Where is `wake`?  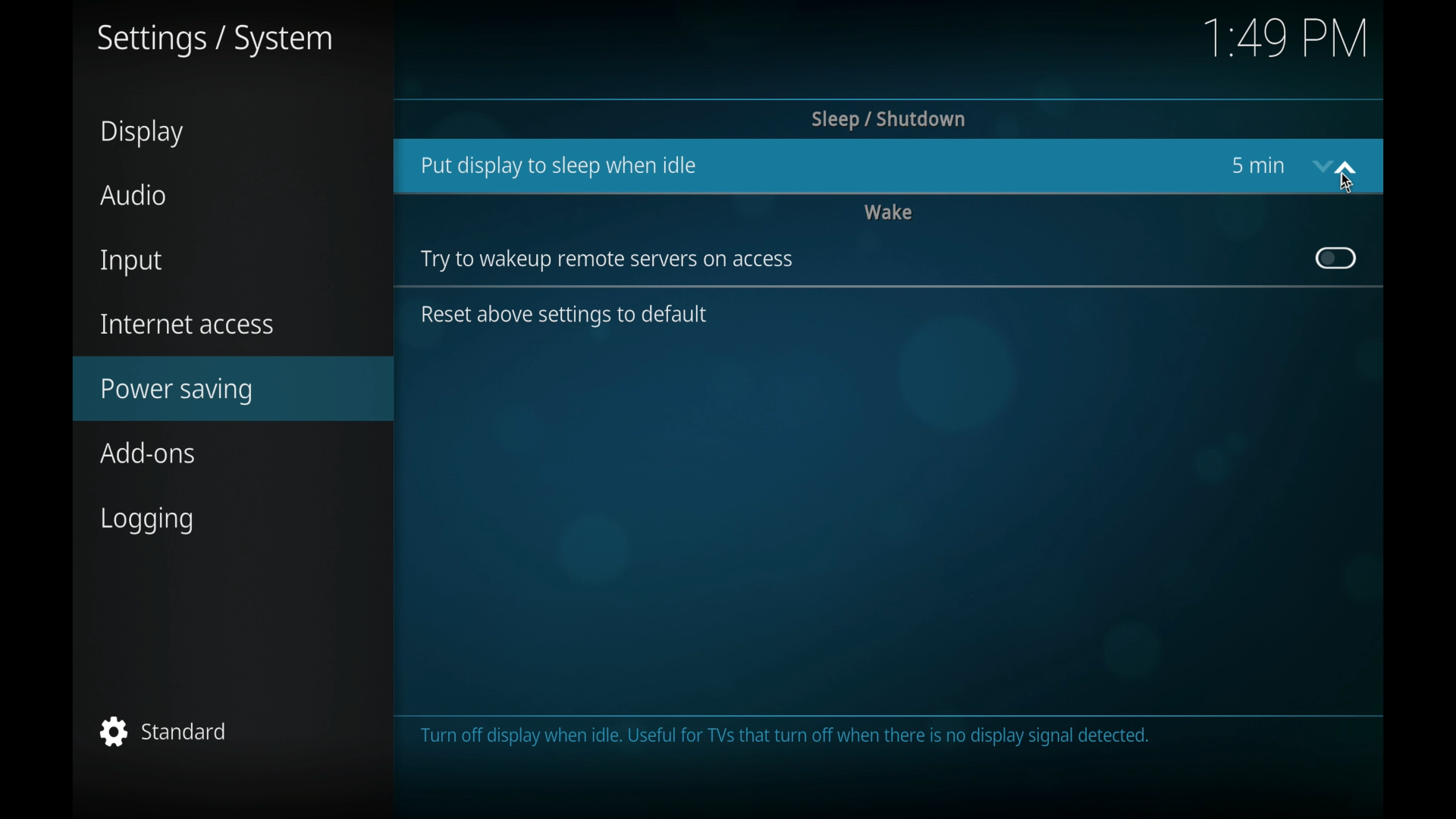
wake is located at coordinates (889, 211).